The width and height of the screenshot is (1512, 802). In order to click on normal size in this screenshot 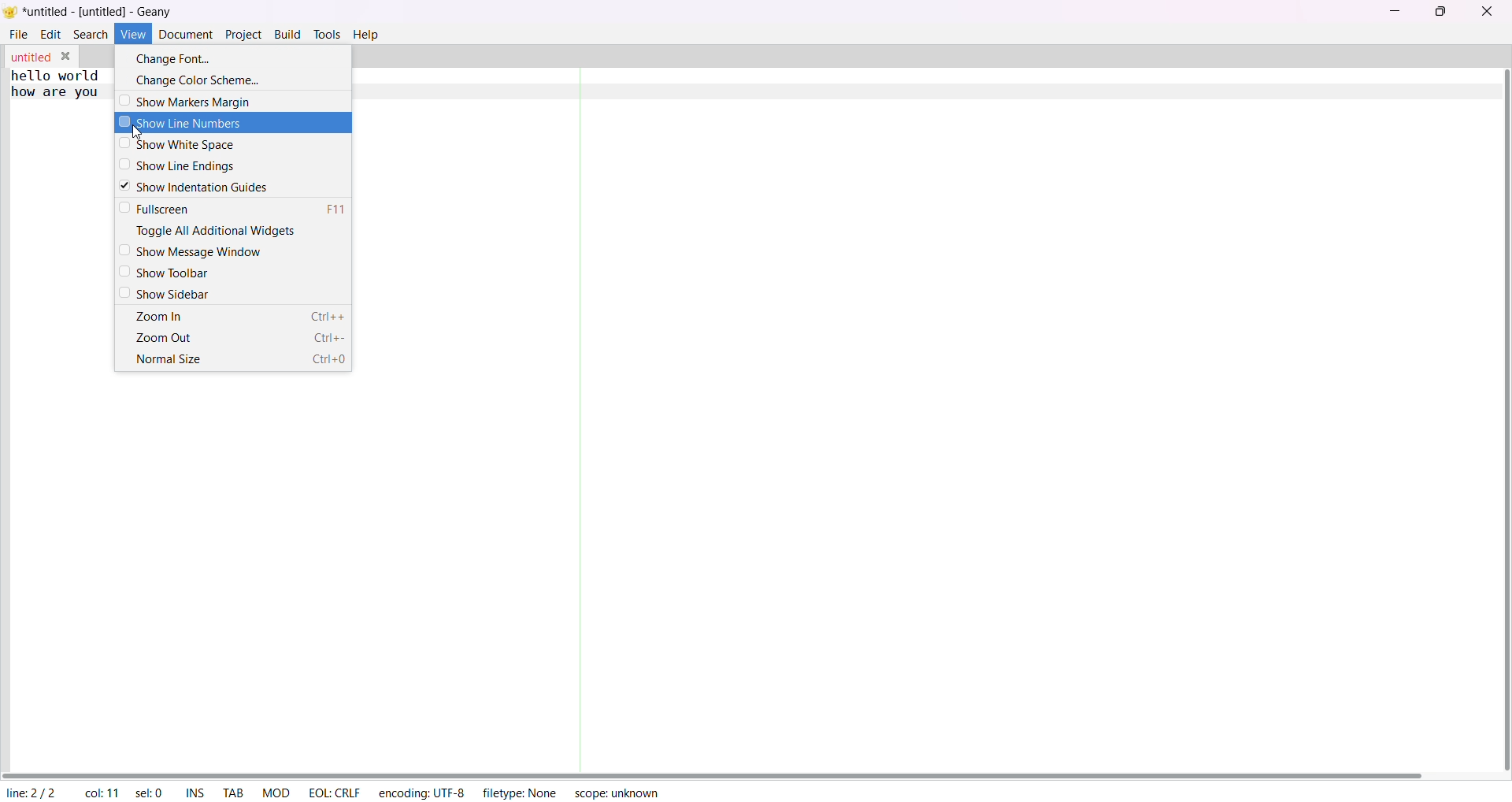, I will do `click(243, 358)`.